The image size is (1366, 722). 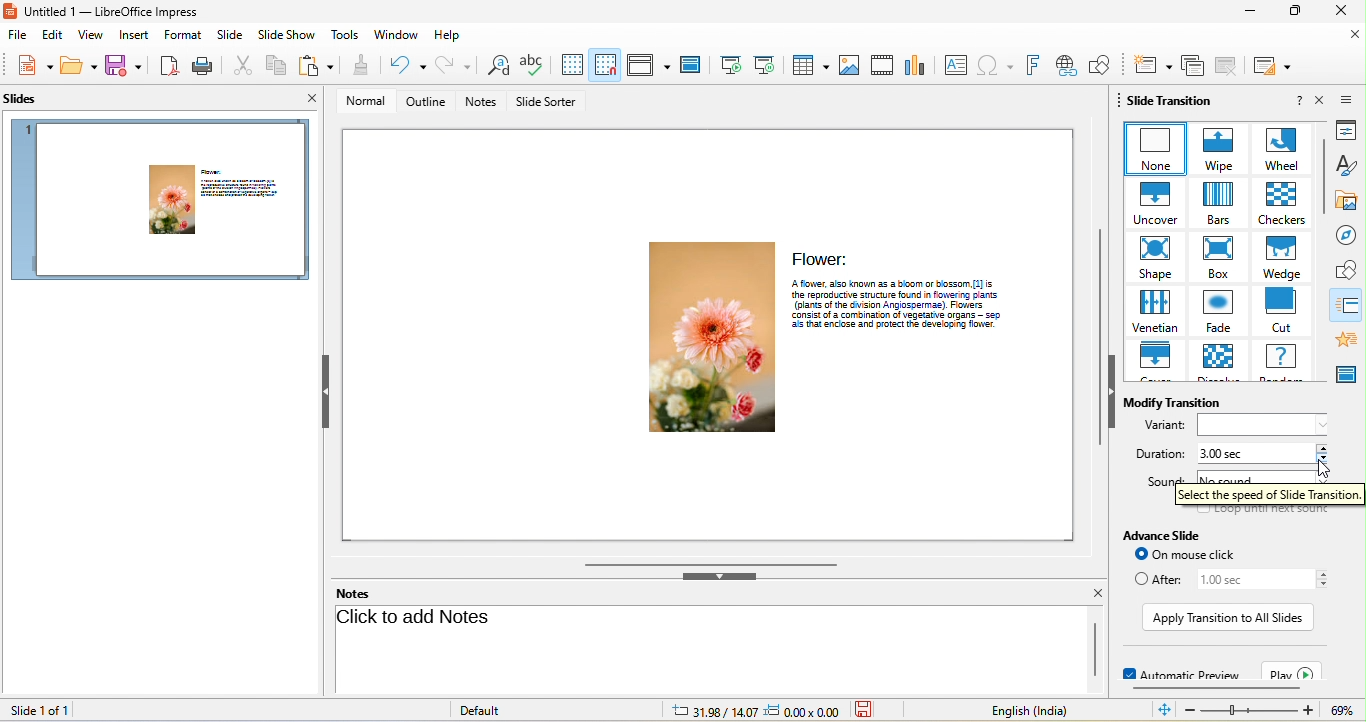 What do you see at coordinates (1155, 362) in the screenshot?
I see `cover` at bounding box center [1155, 362].